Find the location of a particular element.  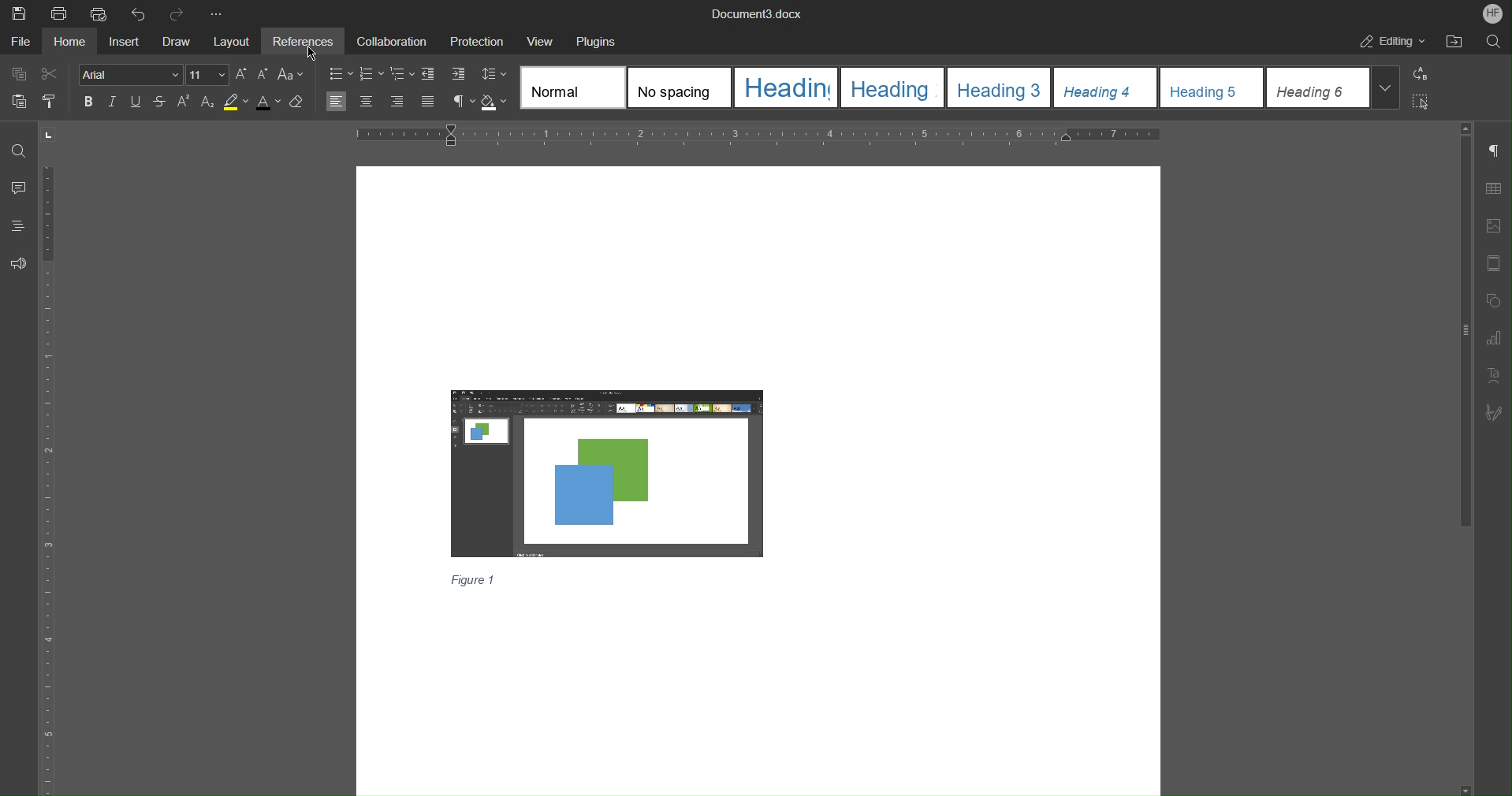

View  is located at coordinates (534, 39).